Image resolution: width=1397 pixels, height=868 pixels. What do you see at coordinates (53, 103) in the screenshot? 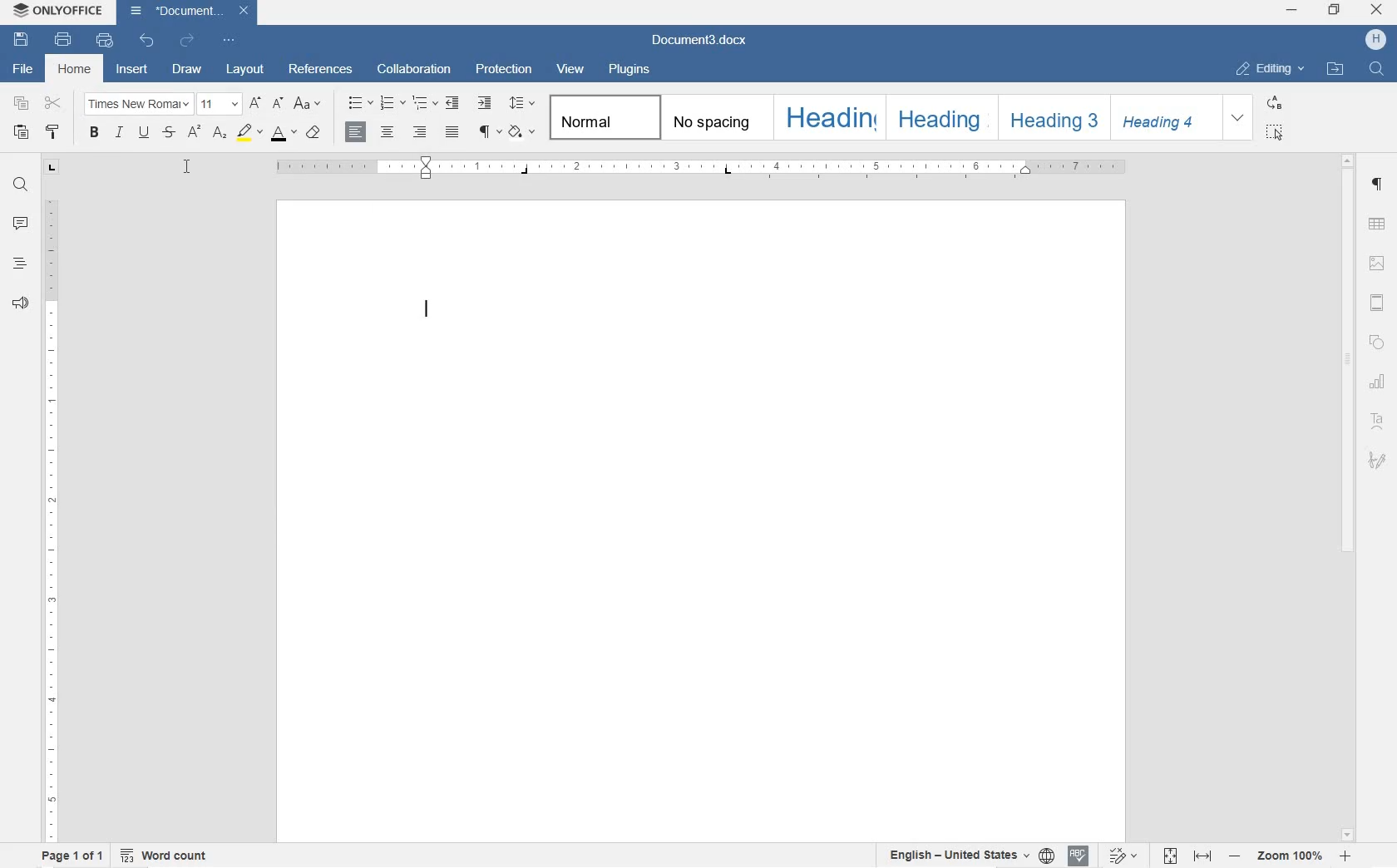
I see `CUT` at bounding box center [53, 103].